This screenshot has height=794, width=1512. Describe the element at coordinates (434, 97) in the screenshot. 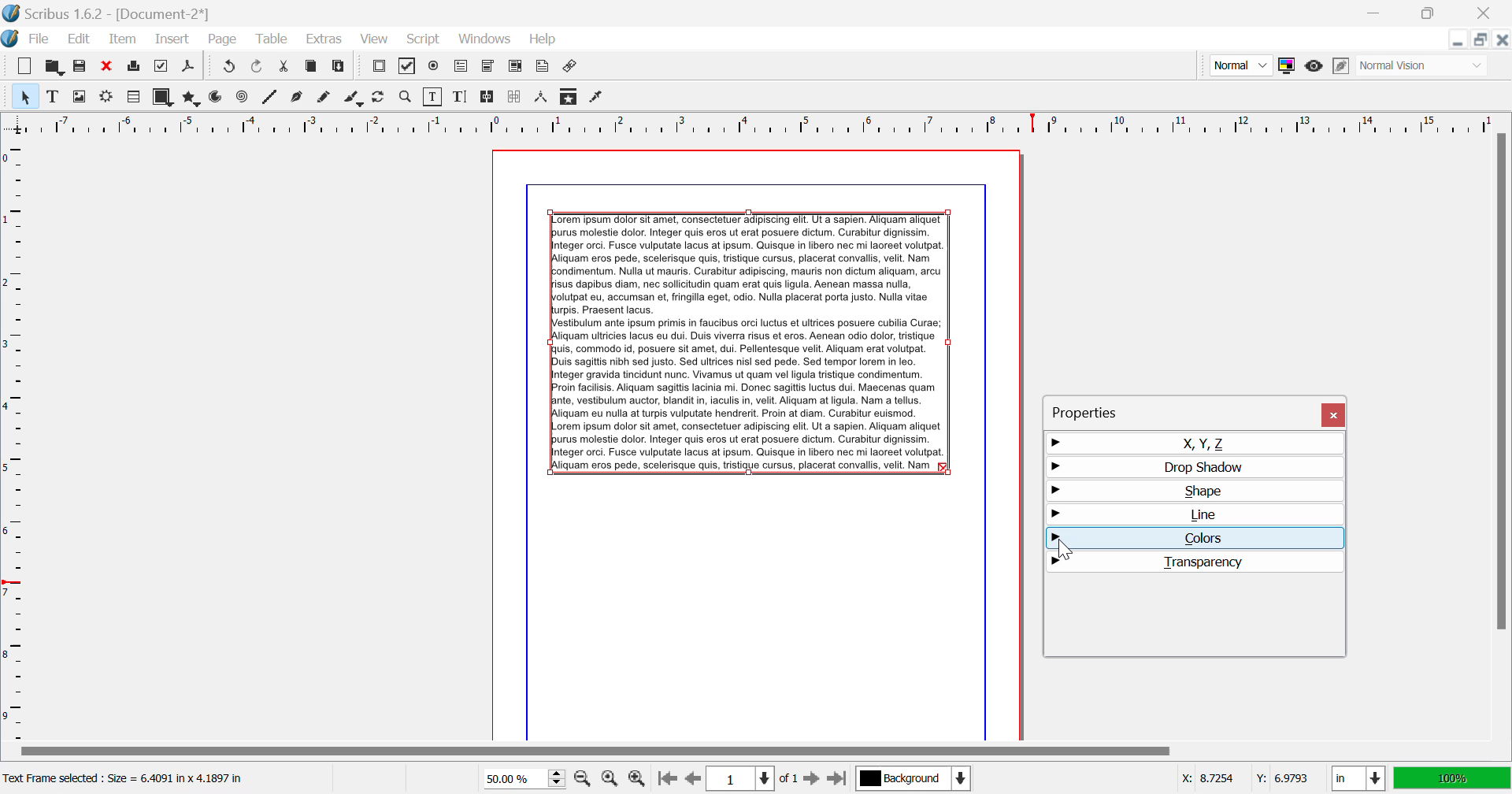

I see `Edit Contents of Frame` at that location.